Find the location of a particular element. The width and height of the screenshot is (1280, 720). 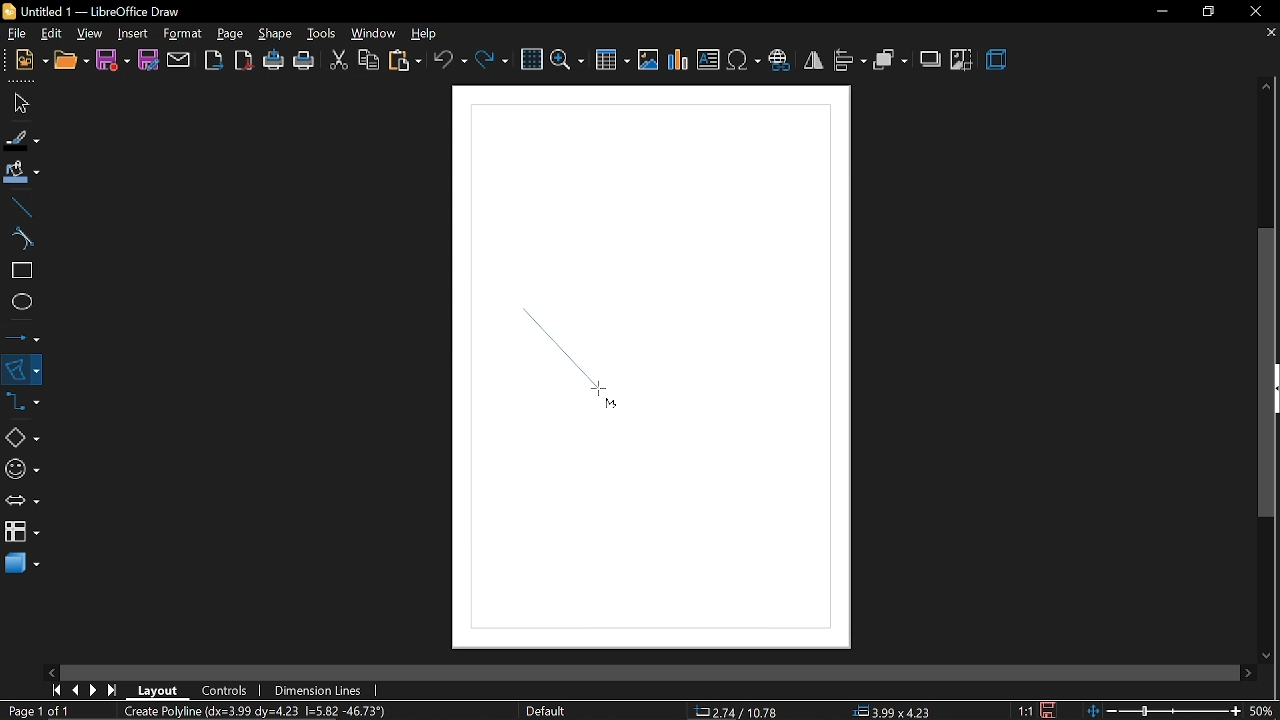

go to last page is located at coordinates (115, 687).